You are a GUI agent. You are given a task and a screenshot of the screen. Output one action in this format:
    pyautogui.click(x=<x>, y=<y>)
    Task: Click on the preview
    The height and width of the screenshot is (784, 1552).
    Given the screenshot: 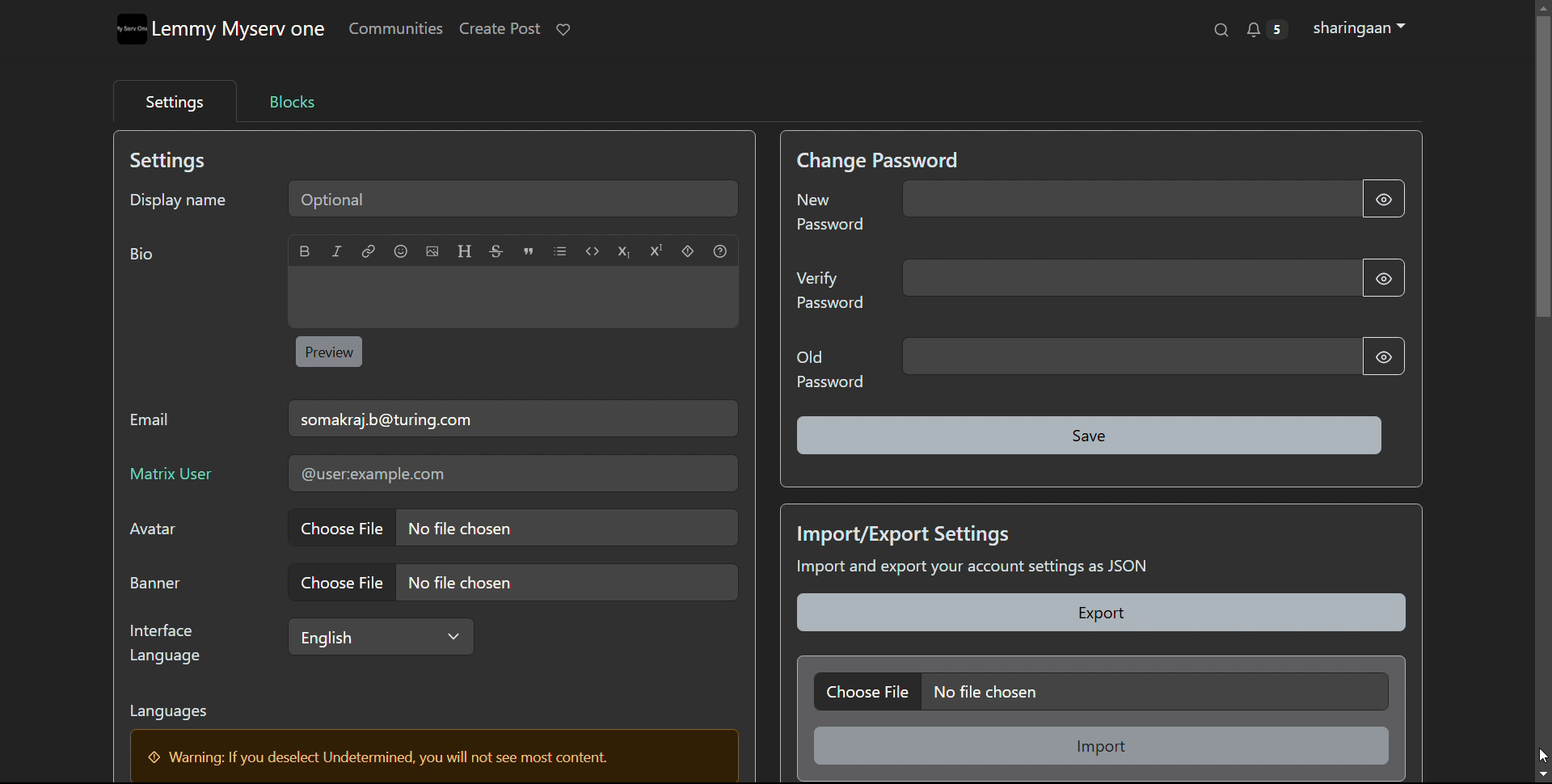 What is the action you would take?
    pyautogui.click(x=330, y=352)
    